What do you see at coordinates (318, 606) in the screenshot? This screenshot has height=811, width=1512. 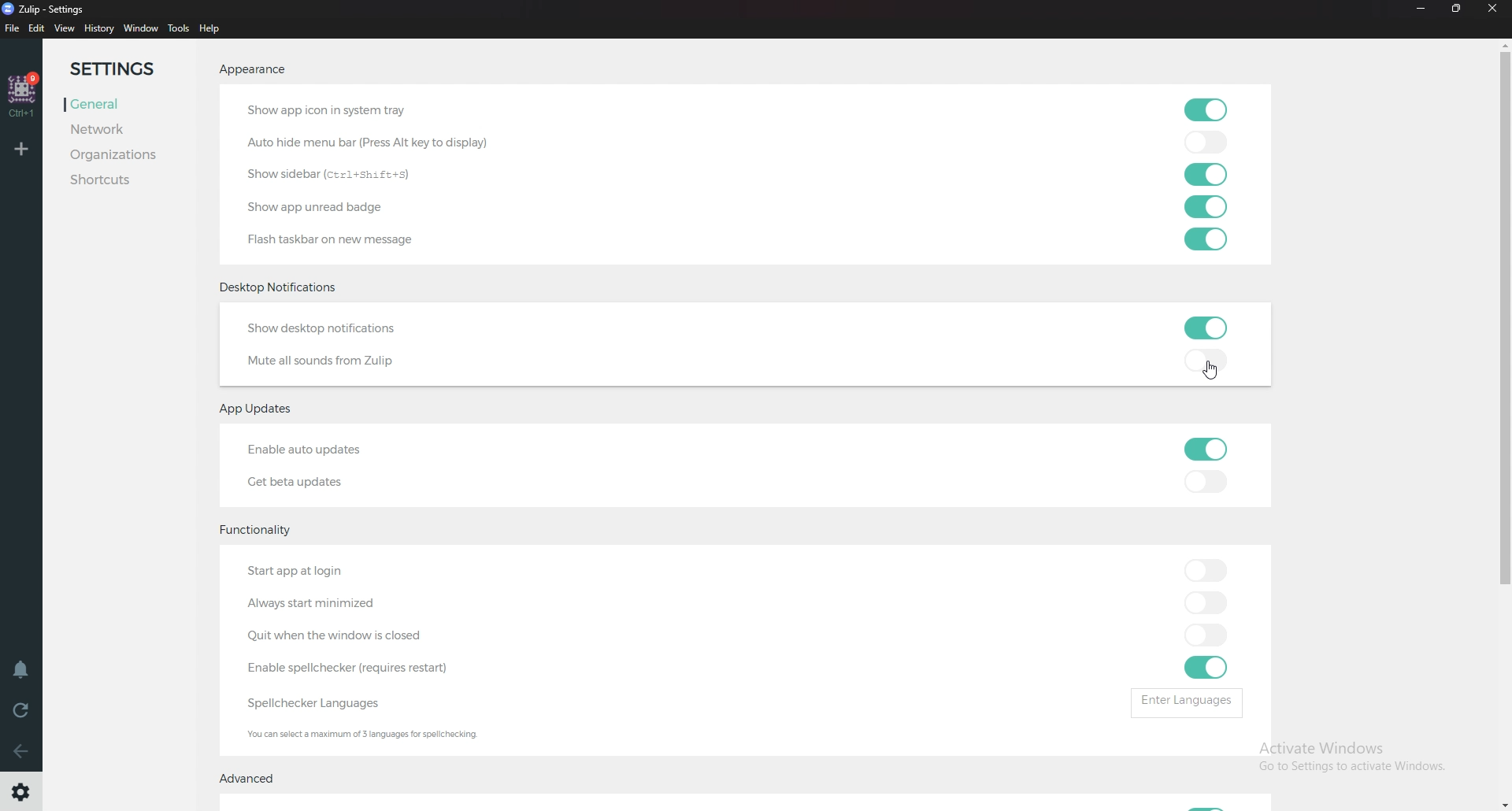 I see `Always start minimized` at bounding box center [318, 606].